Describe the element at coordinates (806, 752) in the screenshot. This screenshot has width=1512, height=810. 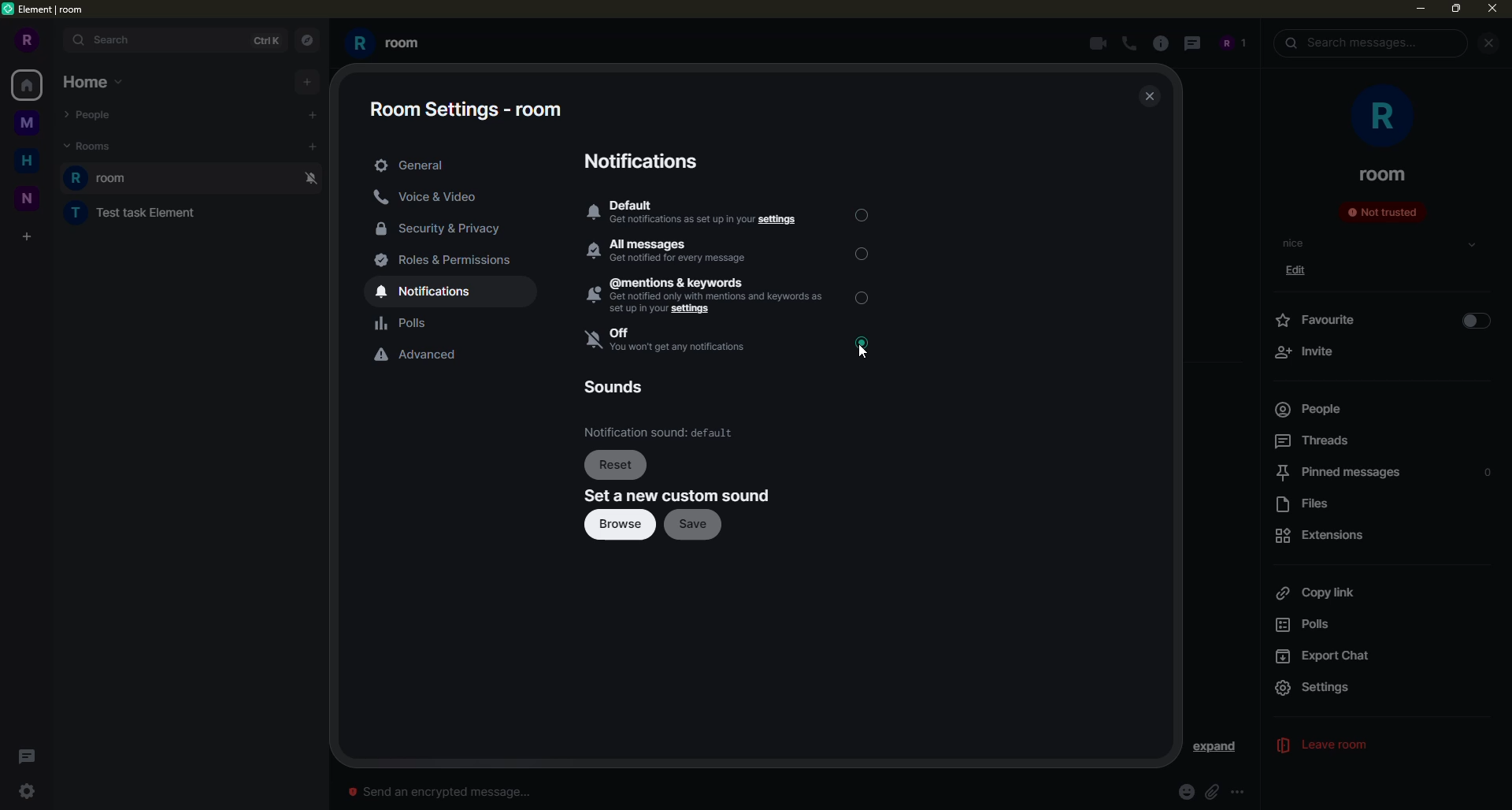
I see `info` at that location.